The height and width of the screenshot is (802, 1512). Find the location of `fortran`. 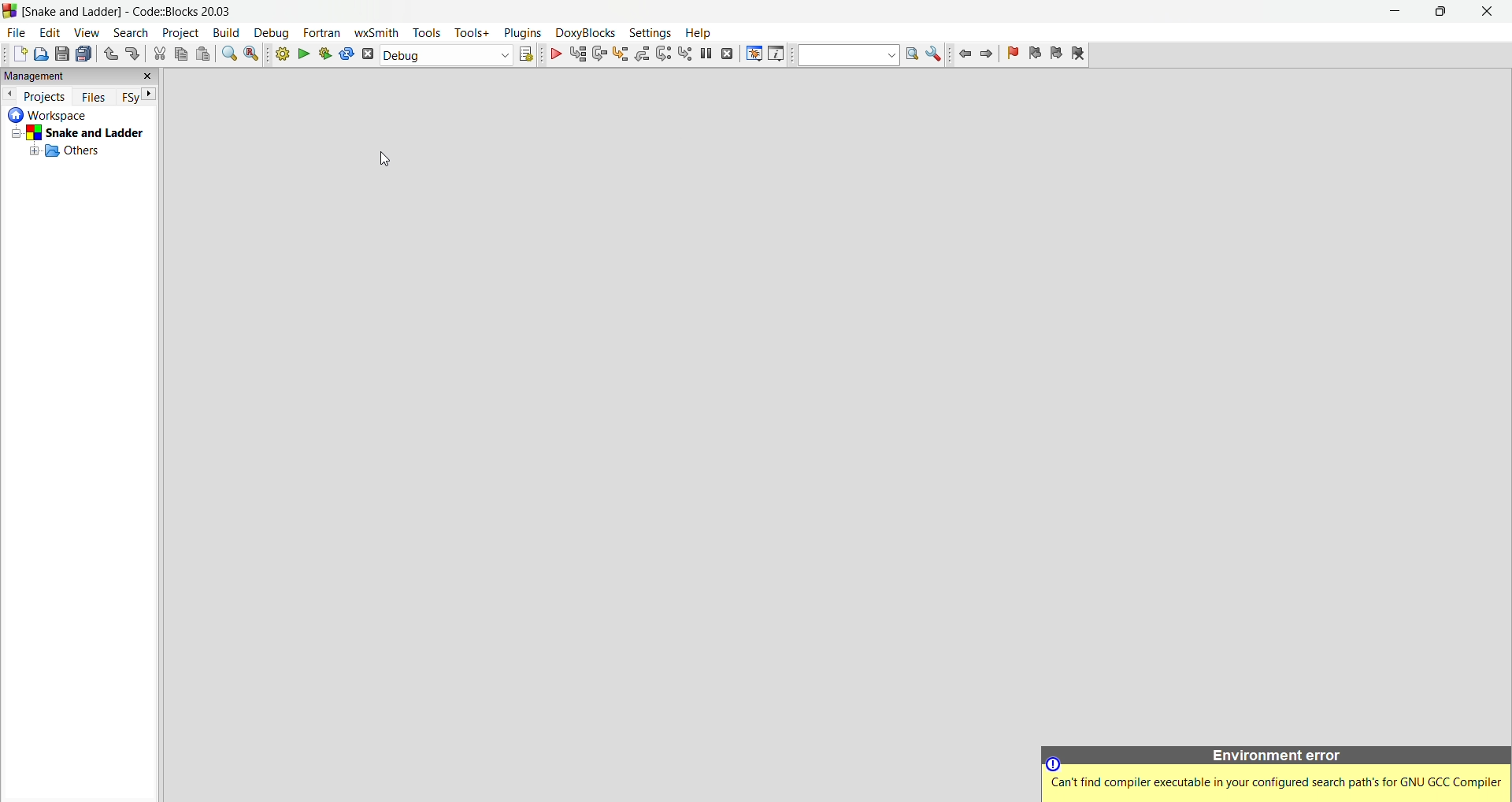

fortran is located at coordinates (324, 32).